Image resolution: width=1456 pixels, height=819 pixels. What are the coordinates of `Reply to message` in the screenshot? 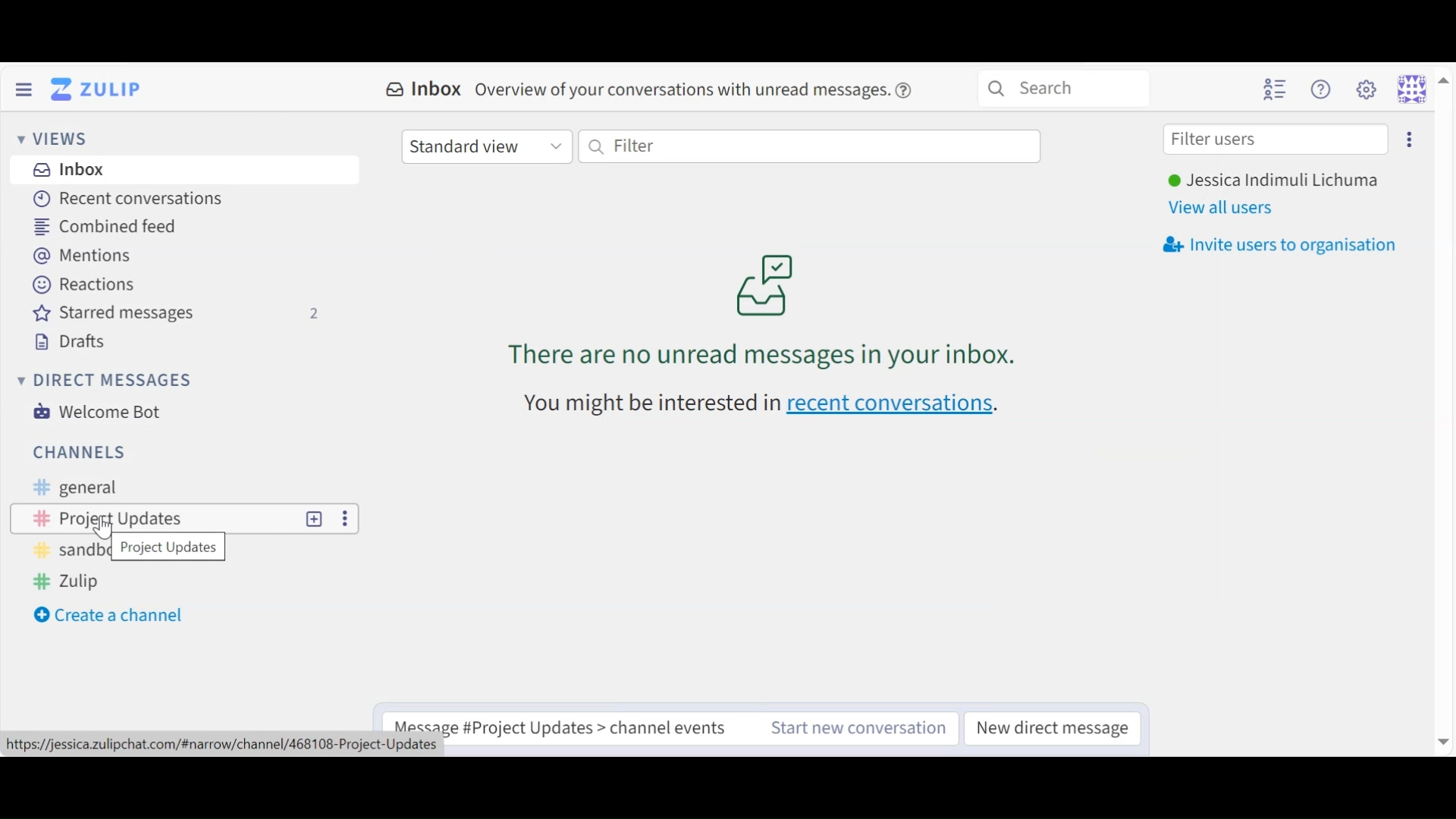 It's located at (571, 721).